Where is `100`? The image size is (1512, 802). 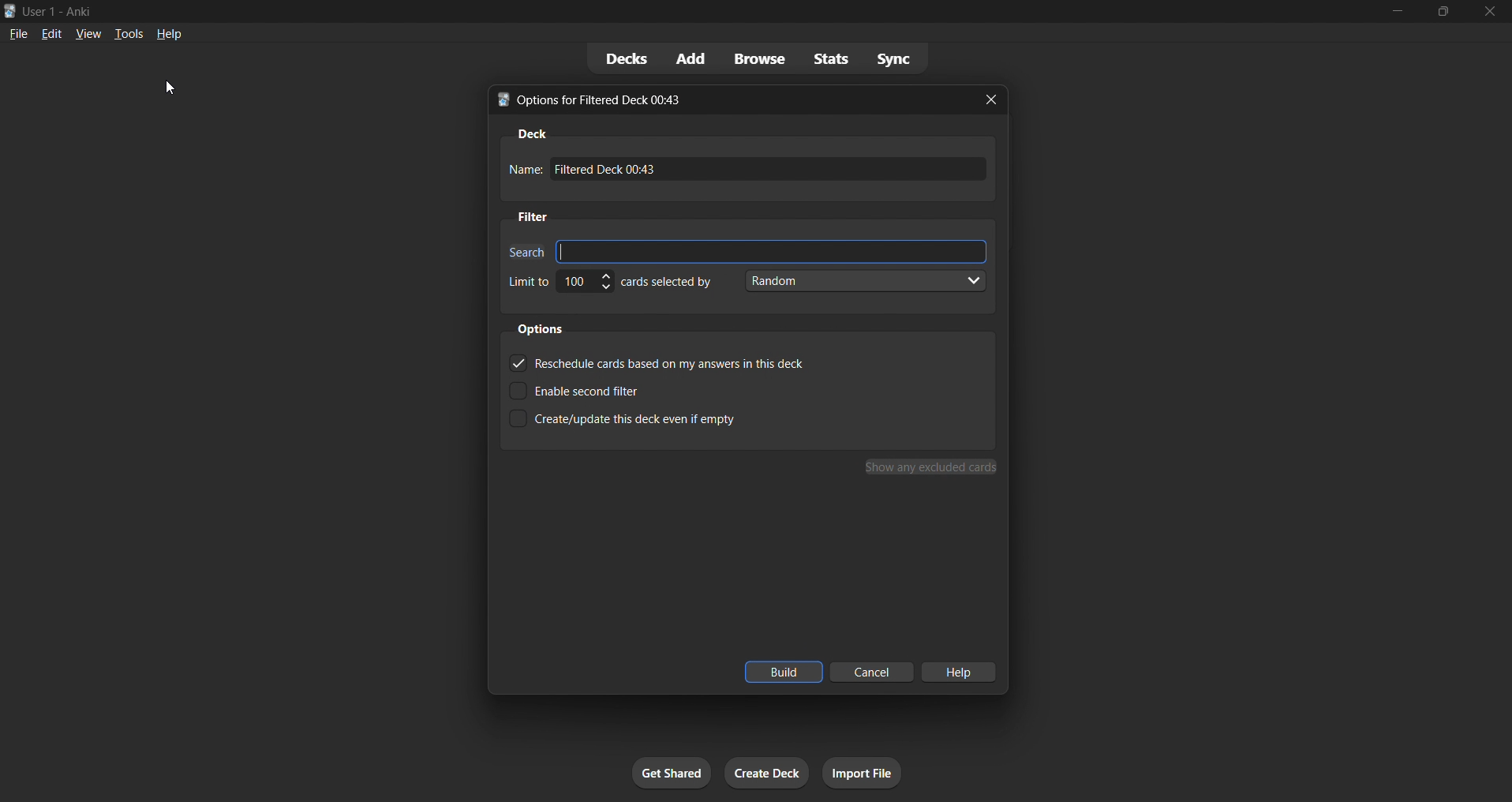
100 is located at coordinates (586, 285).